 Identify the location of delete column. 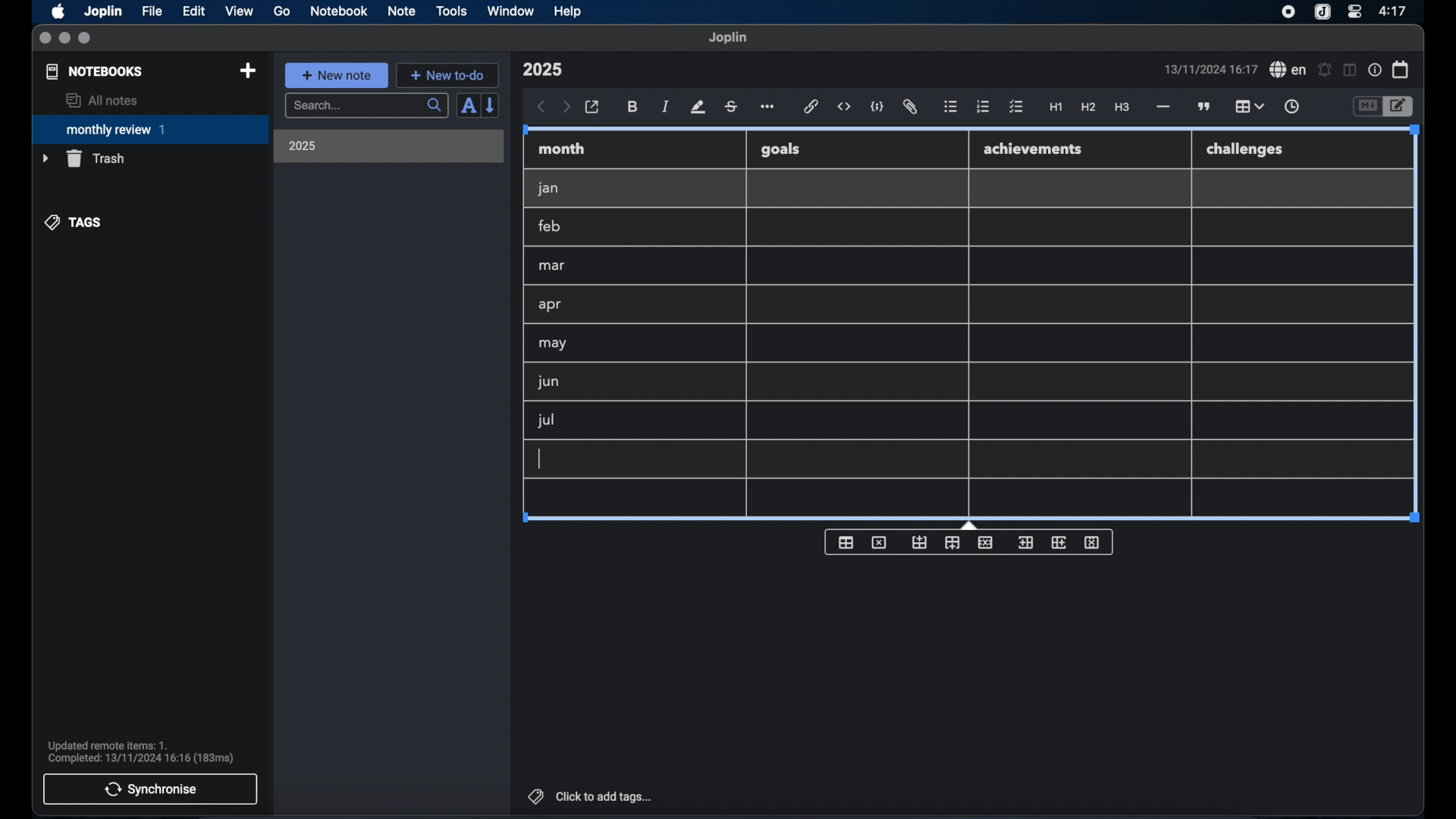
(1093, 543).